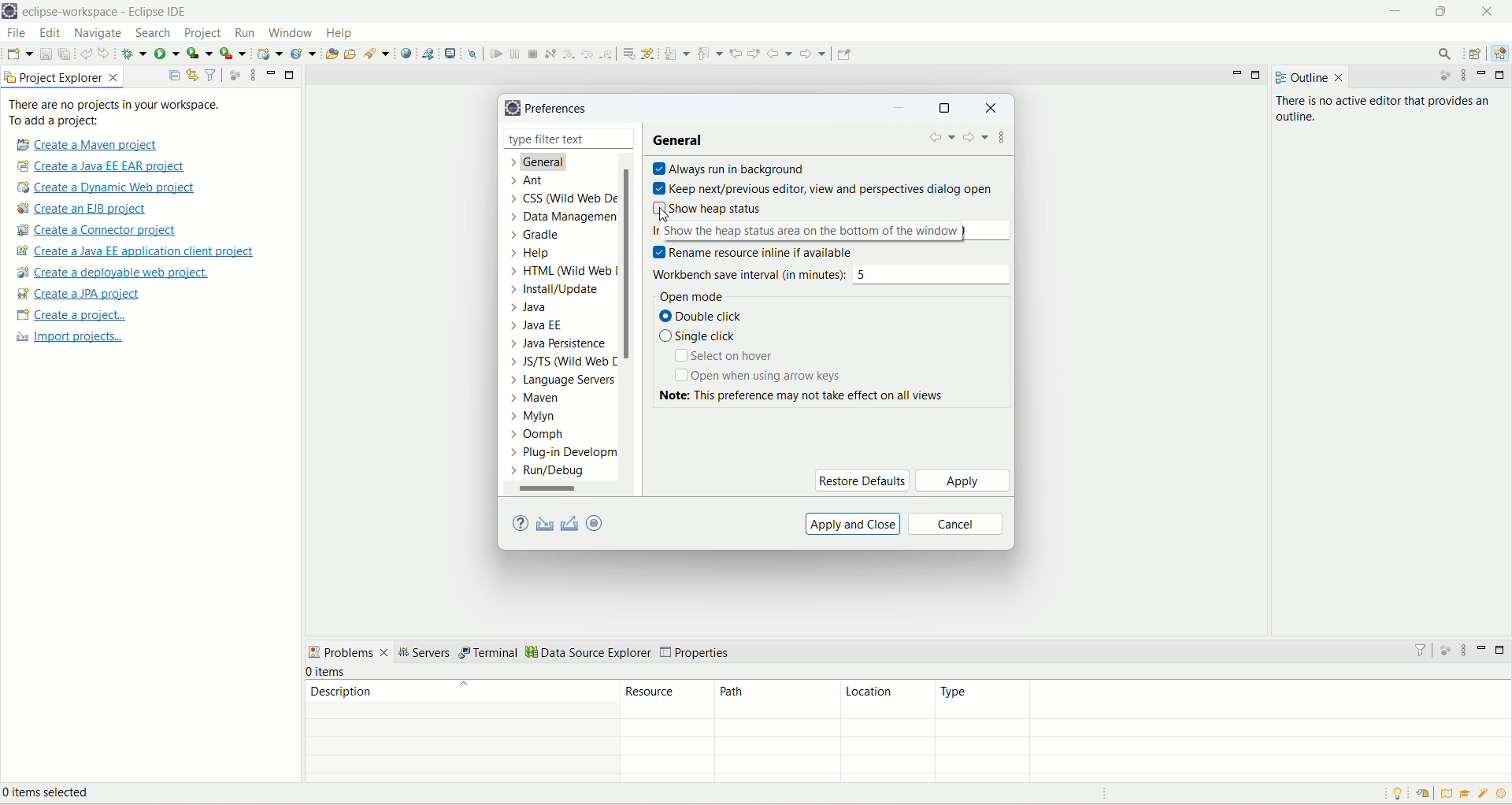 The height and width of the screenshot is (805, 1512). What do you see at coordinates (902, 109) in the screenshot?
I see `minimize` at bounding box center [902, 109].